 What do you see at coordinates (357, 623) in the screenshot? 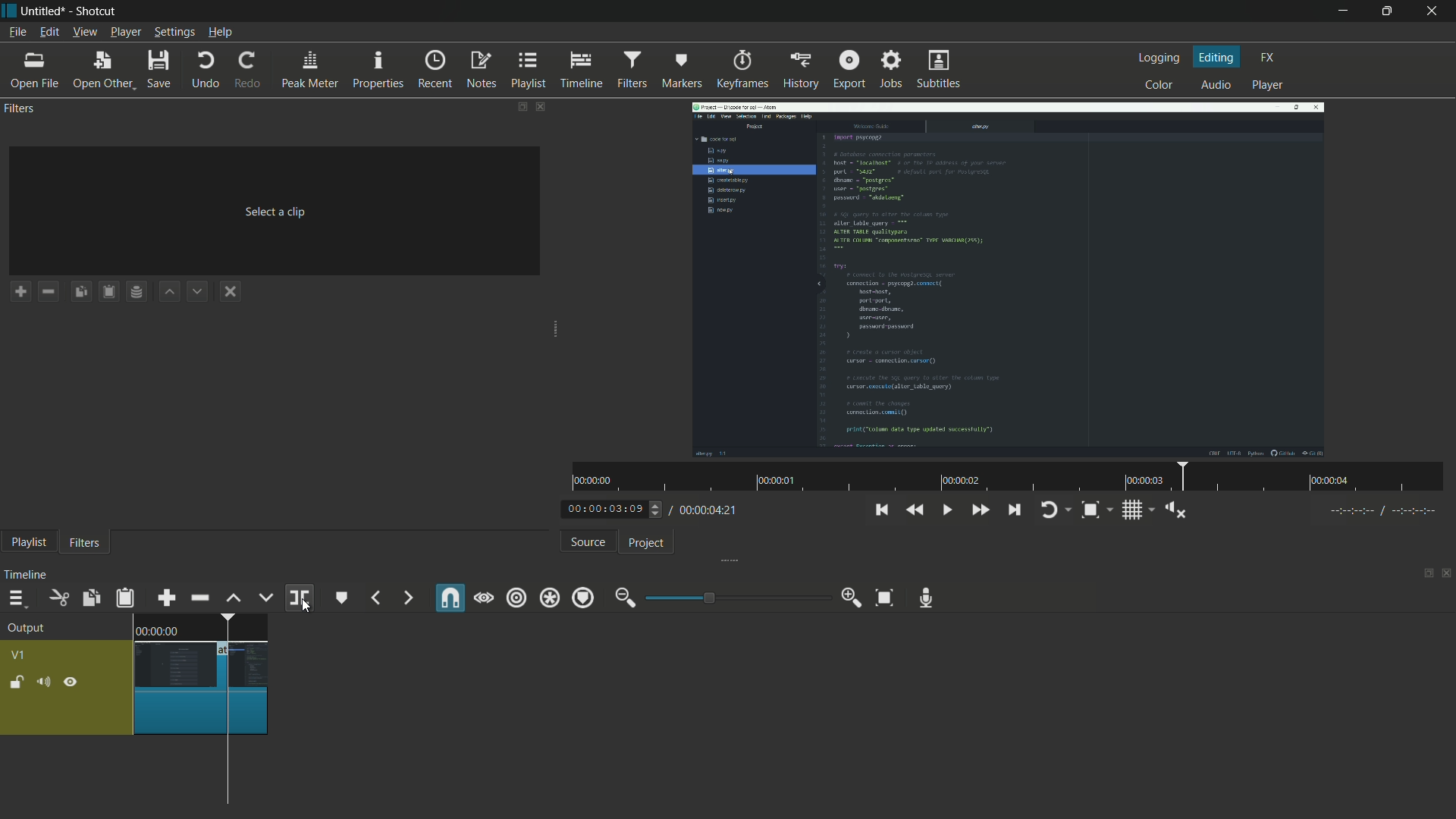
I see `split at playhead pop up` at bounding box center [357, 623].